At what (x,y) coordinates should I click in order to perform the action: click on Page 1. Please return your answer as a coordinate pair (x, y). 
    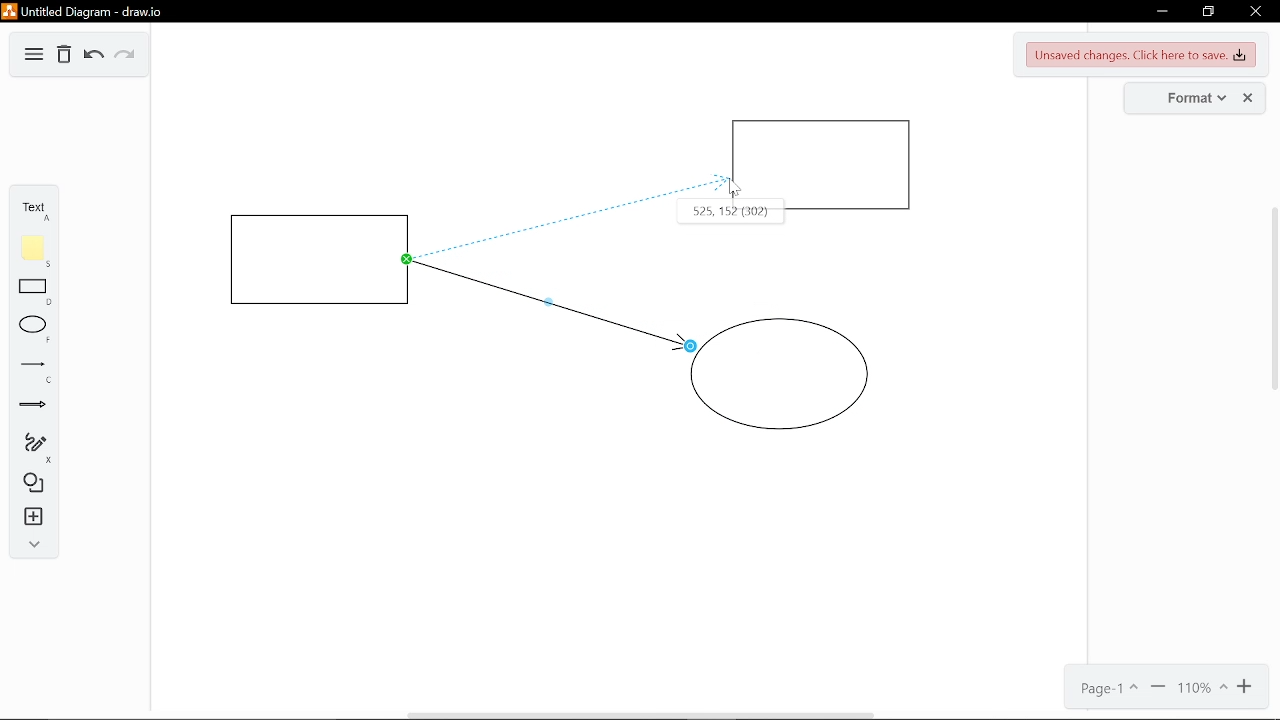
    Looking at the image, I should click on (1106, 689).